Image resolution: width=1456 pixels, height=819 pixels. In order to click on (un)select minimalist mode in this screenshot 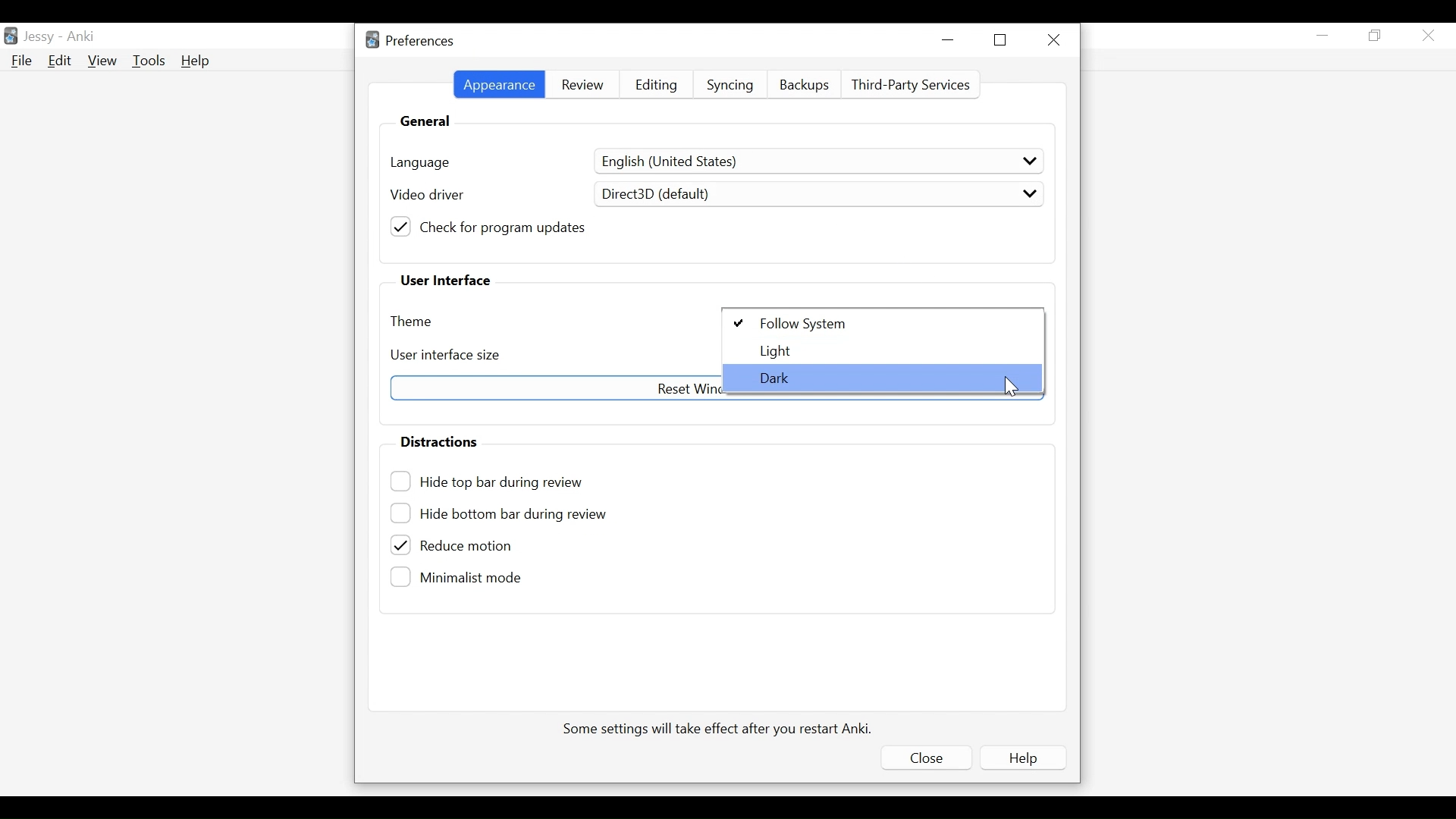, I will do `click(460, 577)`.